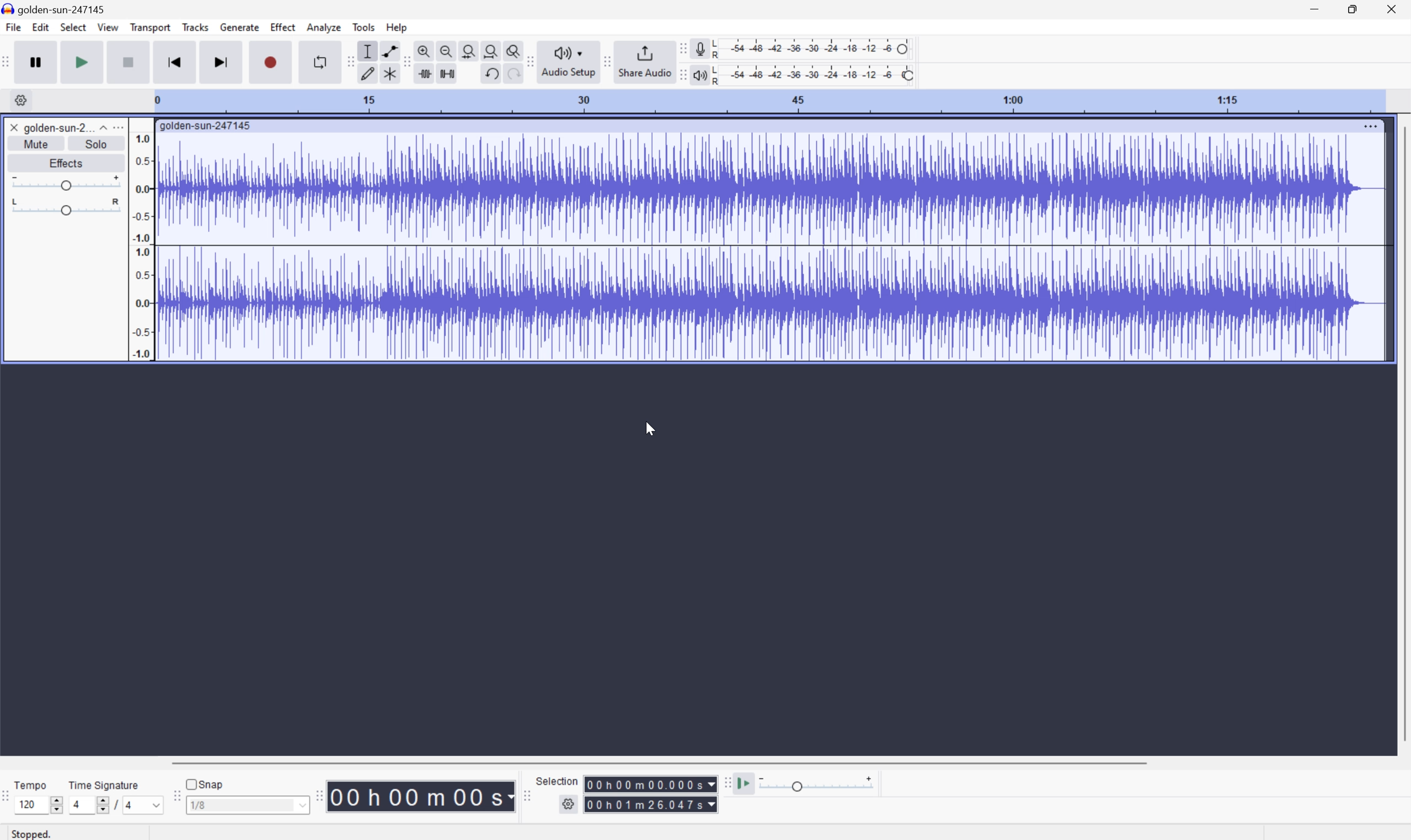  What do you see at coordinates (324, 27) in the screenshot?
I see `Analyze` at bounding box center [324, 27].